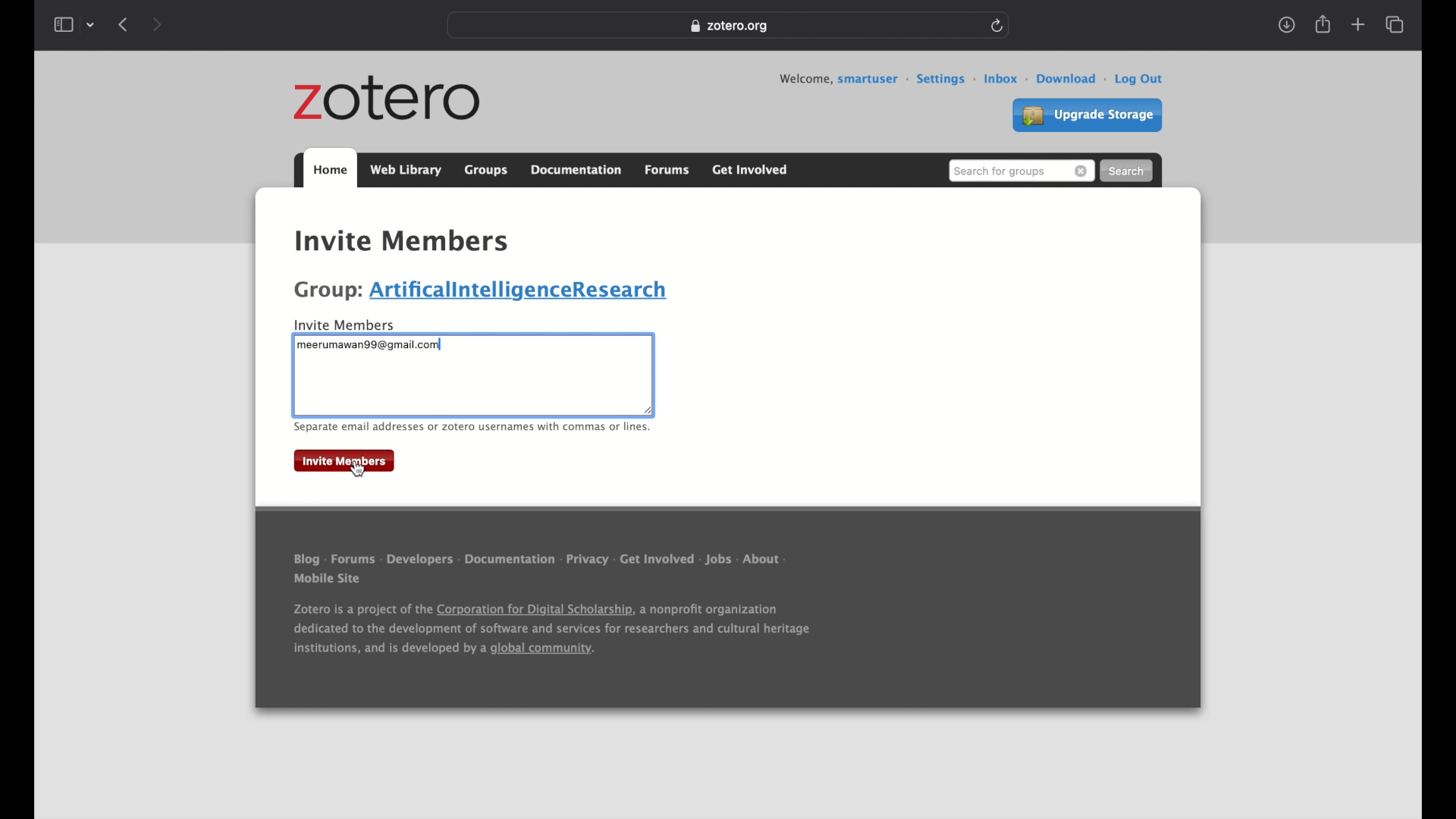  What do you see at coordinates (471, 428) in the screenshot?
I see `separate email addresses or zotero usernames with commas or lines` at bounding box center [471, 428].